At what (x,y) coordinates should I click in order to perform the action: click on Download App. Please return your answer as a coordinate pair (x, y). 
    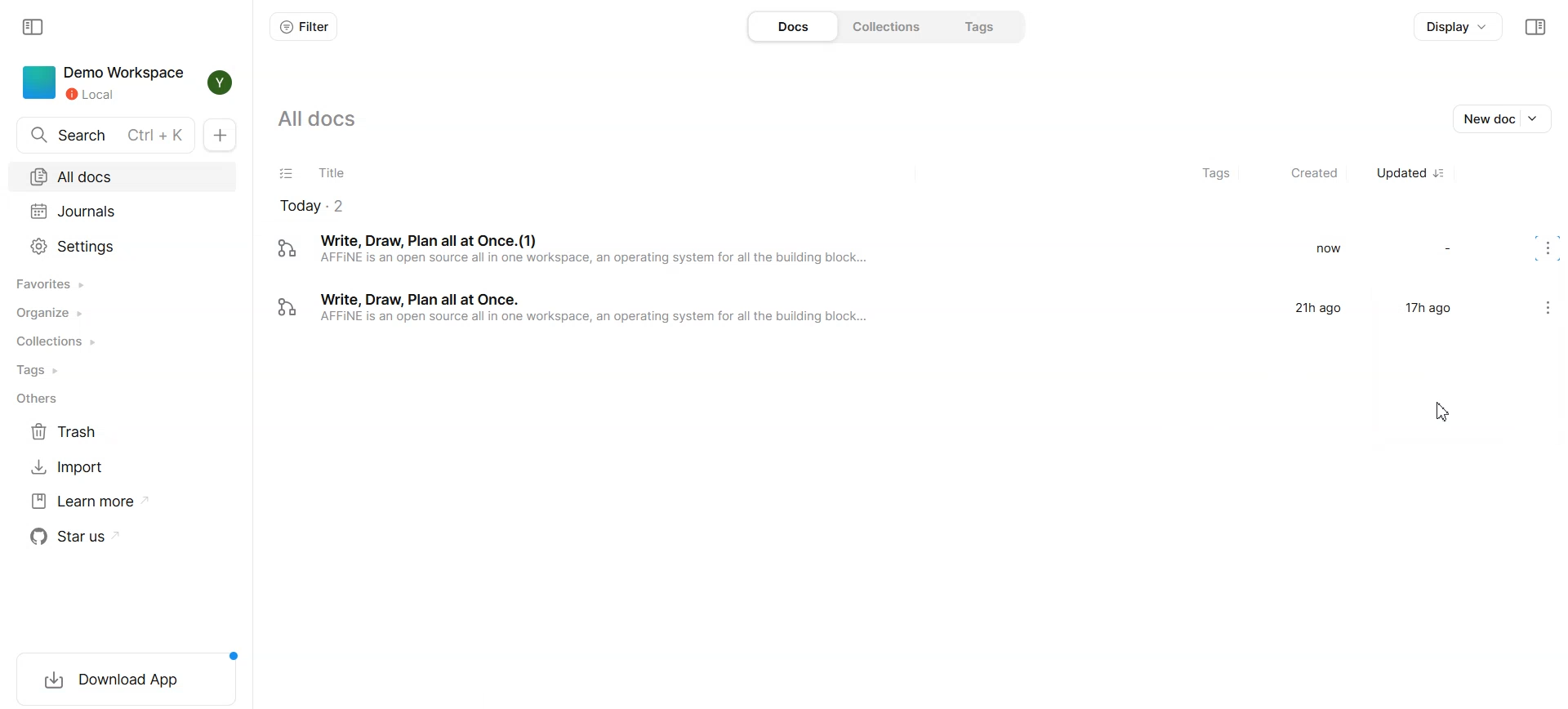
    Looking at the image, I should click on (128, 680).